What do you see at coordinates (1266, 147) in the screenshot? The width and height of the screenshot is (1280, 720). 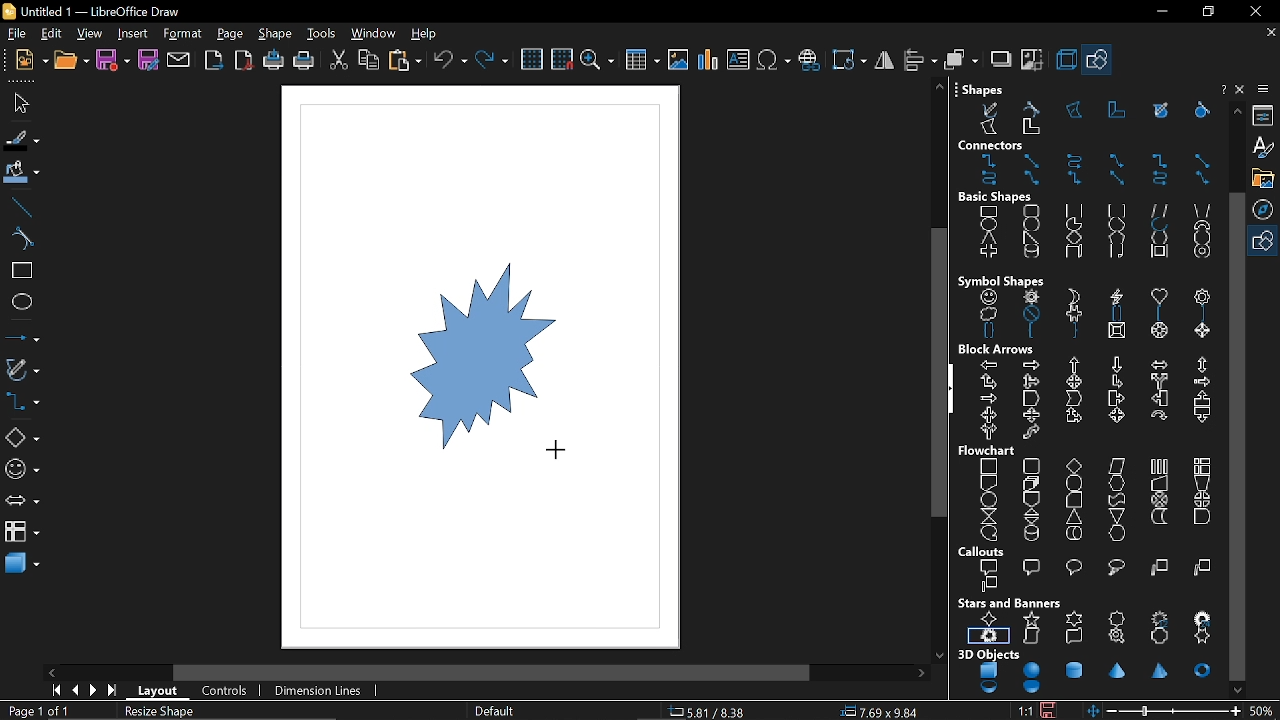 I see `styles ` at bounding box center [1266, 147].